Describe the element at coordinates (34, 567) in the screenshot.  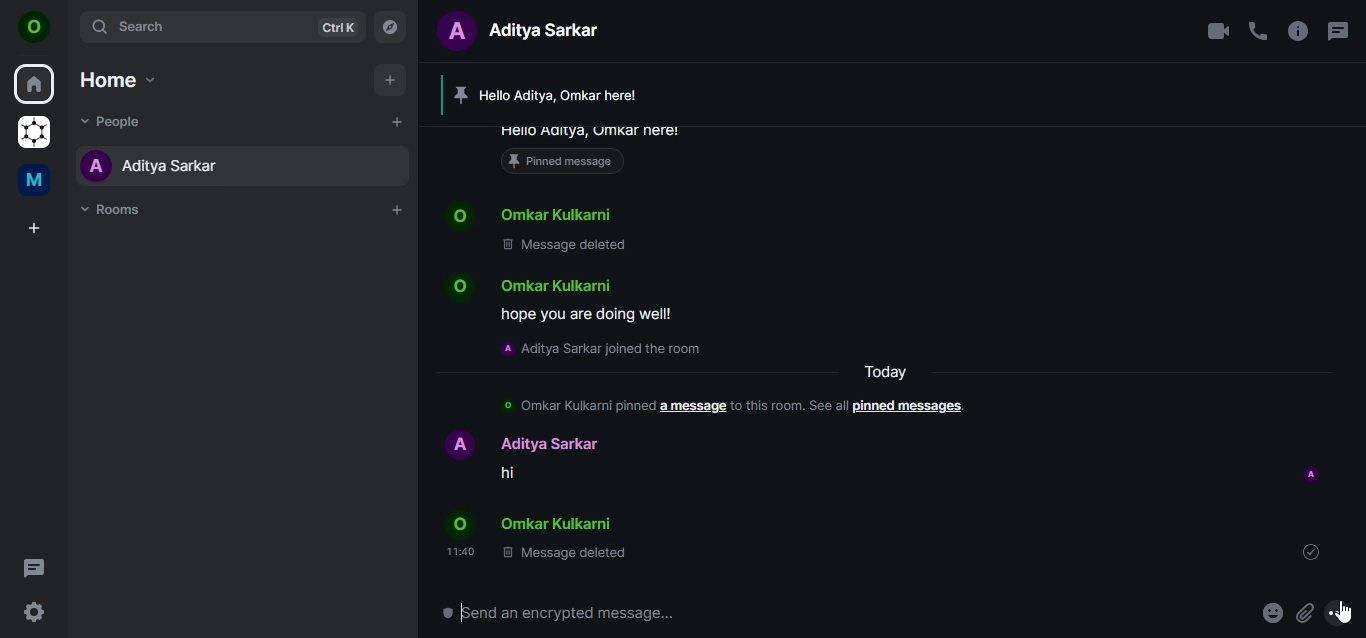
I see `threads` at that location.